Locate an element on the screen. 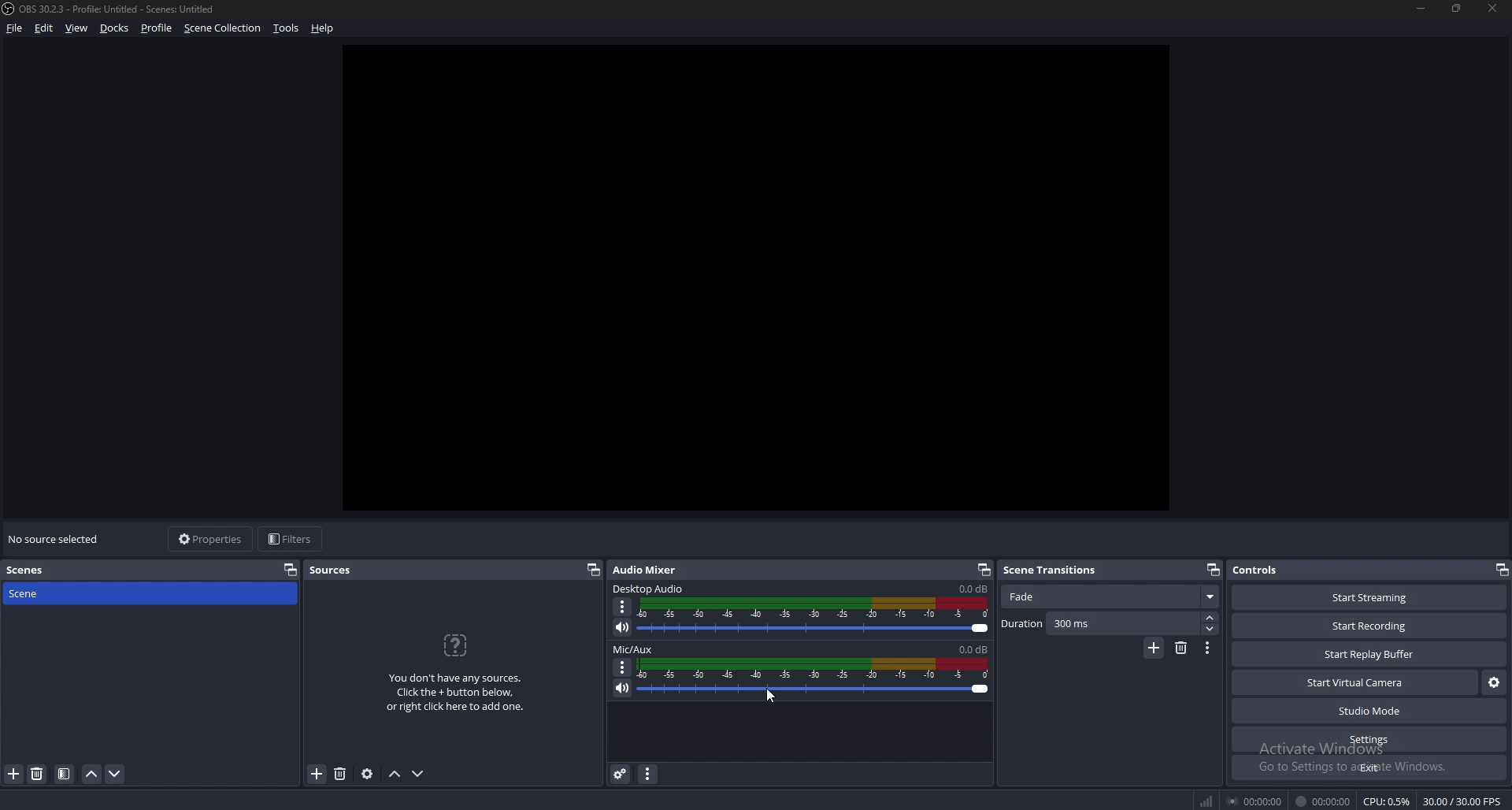  fade is located at coordinates (1112, 595).